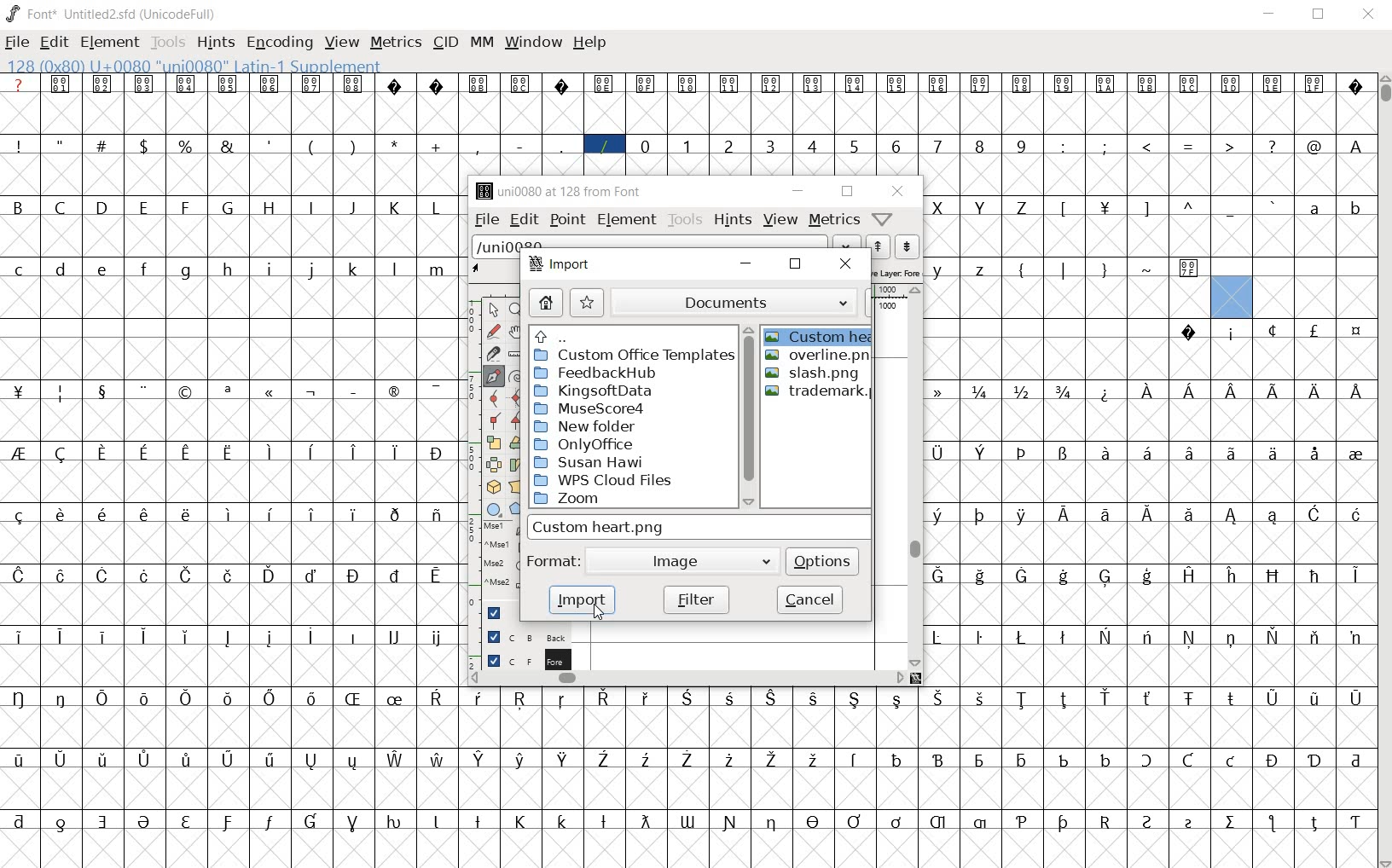 This screenshot has height=868, width=1392. I want to click on load word list, so click(650, 243).